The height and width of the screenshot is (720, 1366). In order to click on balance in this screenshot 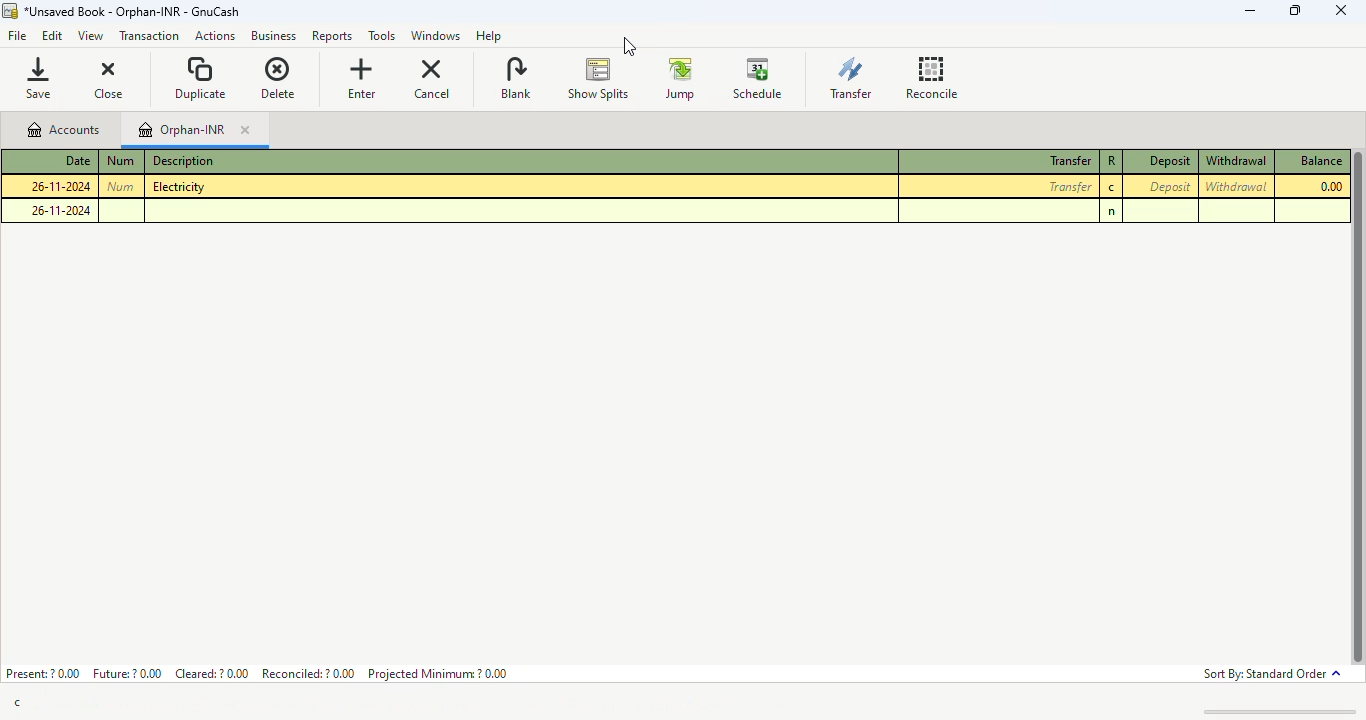, I will do `click(1319, 160)`.